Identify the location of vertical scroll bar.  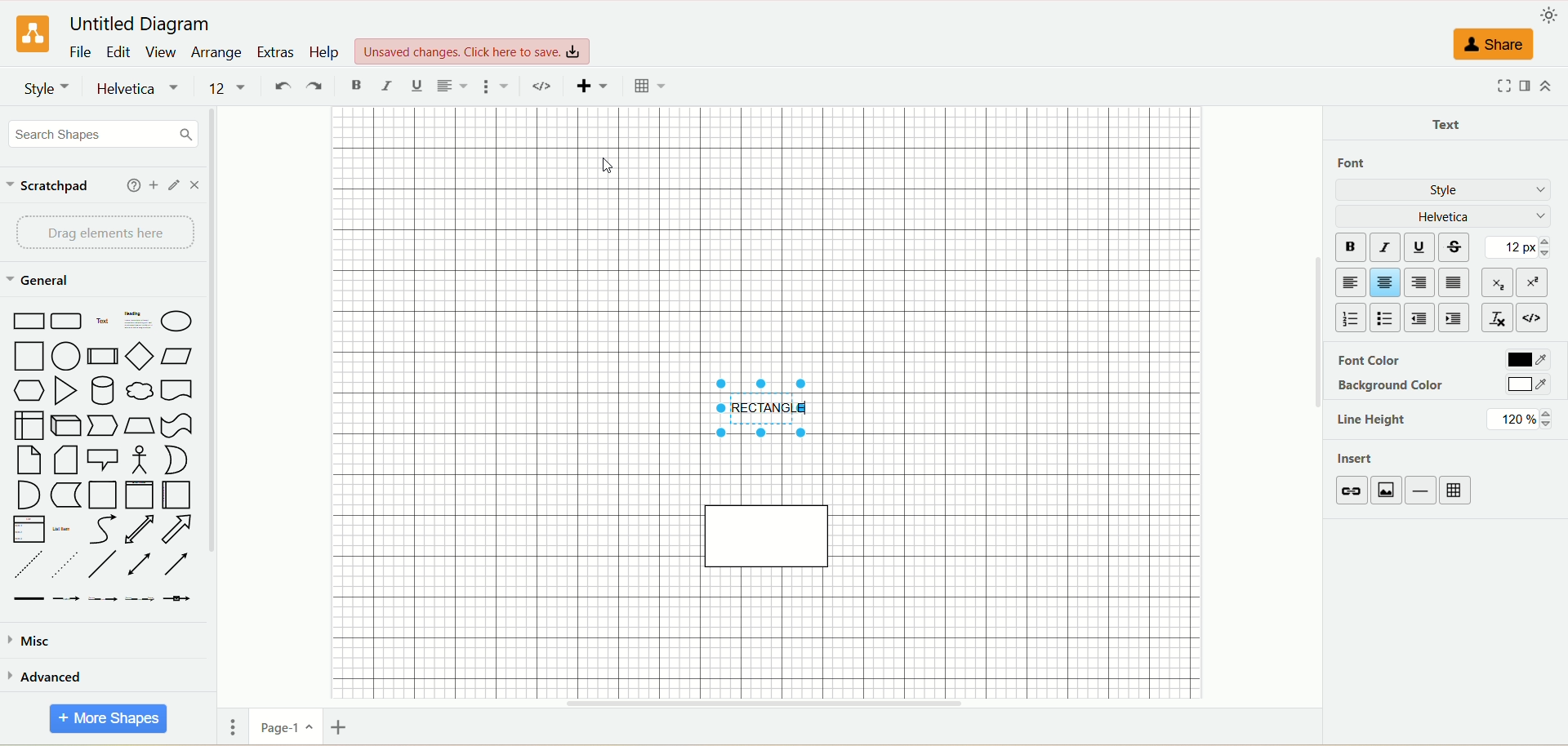
(223, 398).